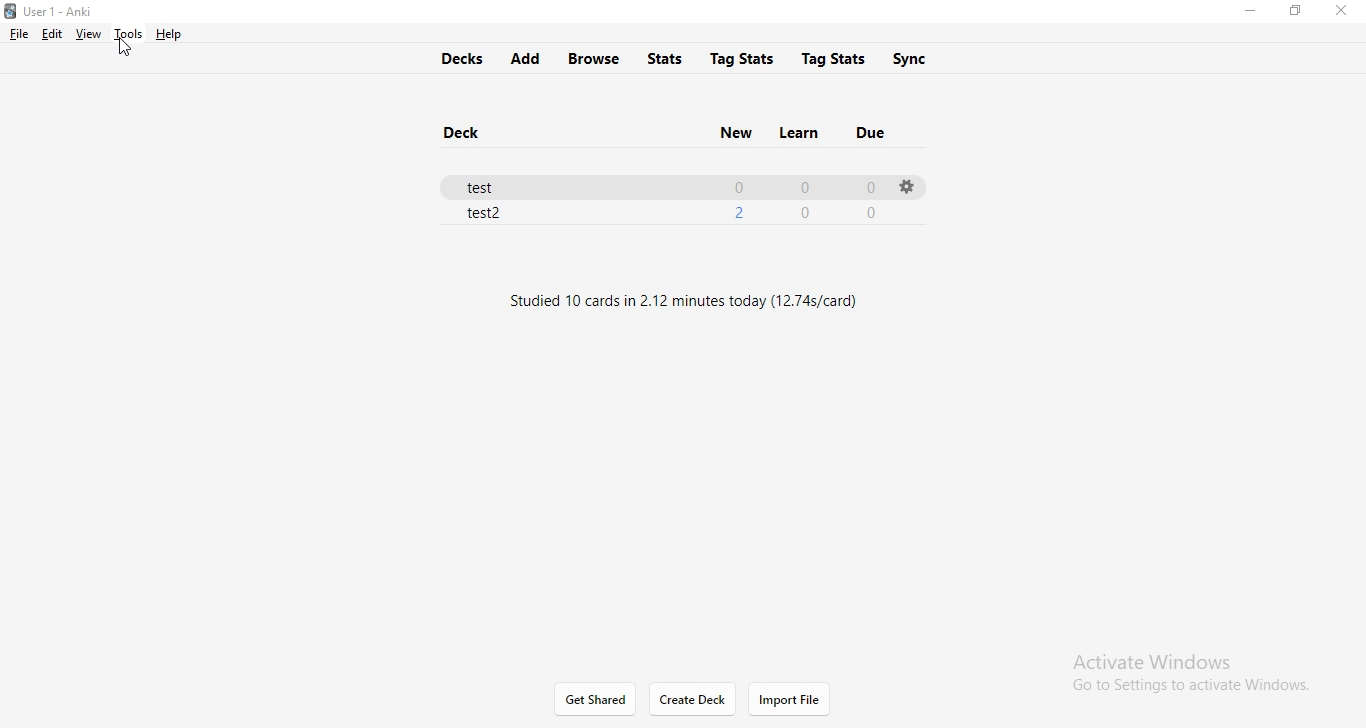 The image size is (1366, 728). I want to click on browse, so click(597, 57).